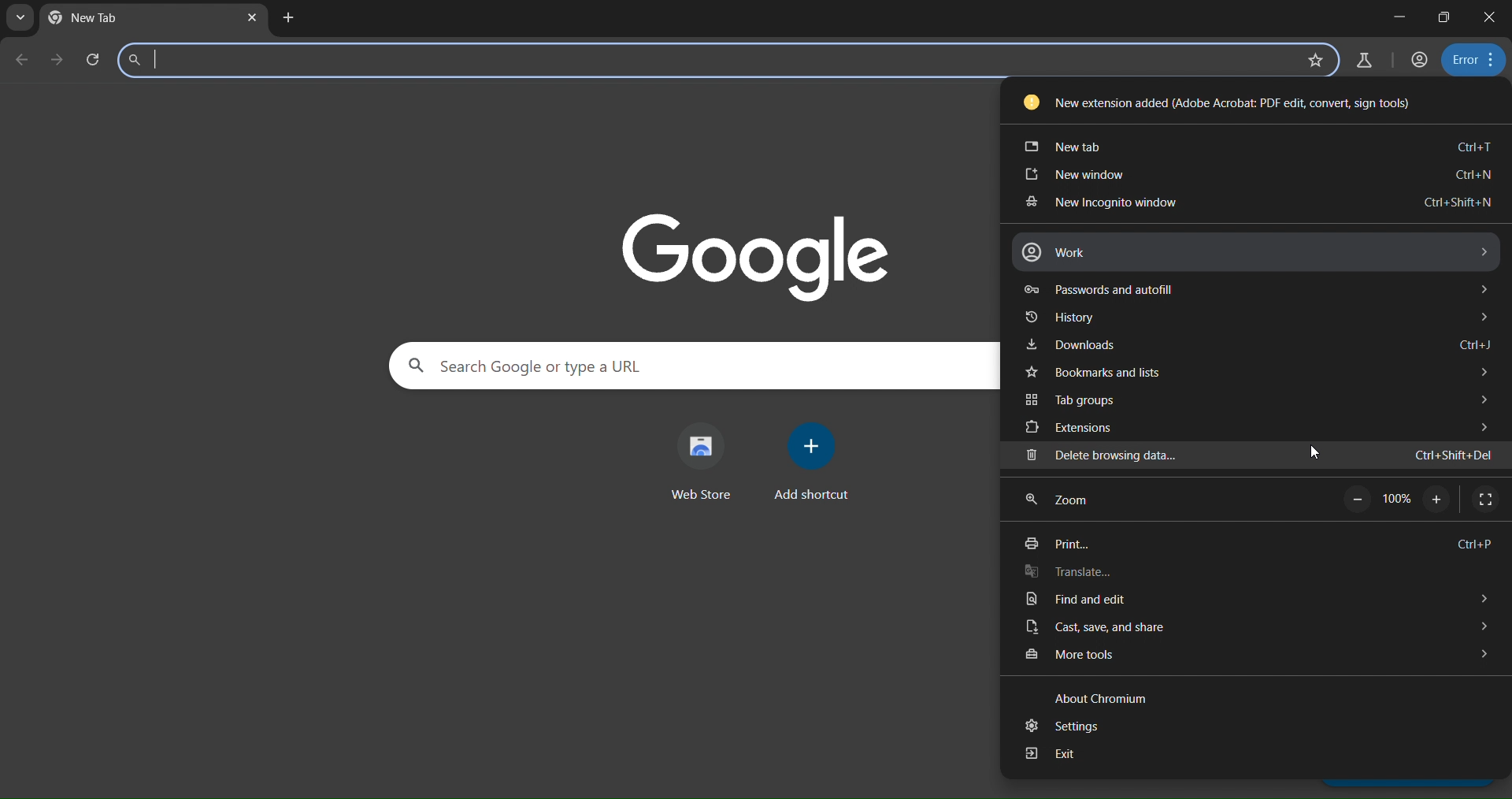 Image resolution: width=1512 pixels, height=799 pixels. Describe the element at coordinates (1266, 173) in the screenshot. I see `new window` at that location.